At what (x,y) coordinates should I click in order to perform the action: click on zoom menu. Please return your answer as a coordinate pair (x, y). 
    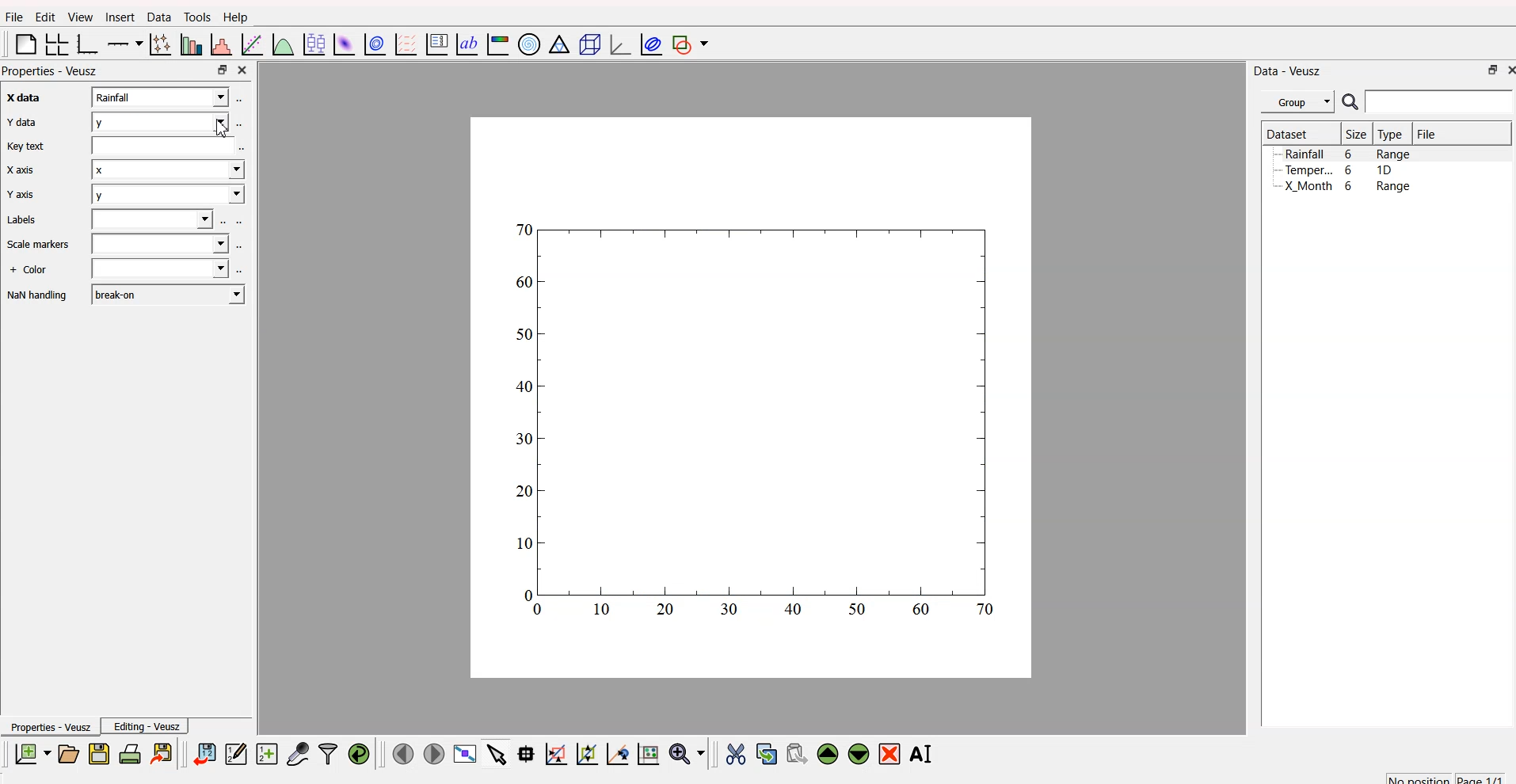
    Looking at the image, I should click on (688, 752).